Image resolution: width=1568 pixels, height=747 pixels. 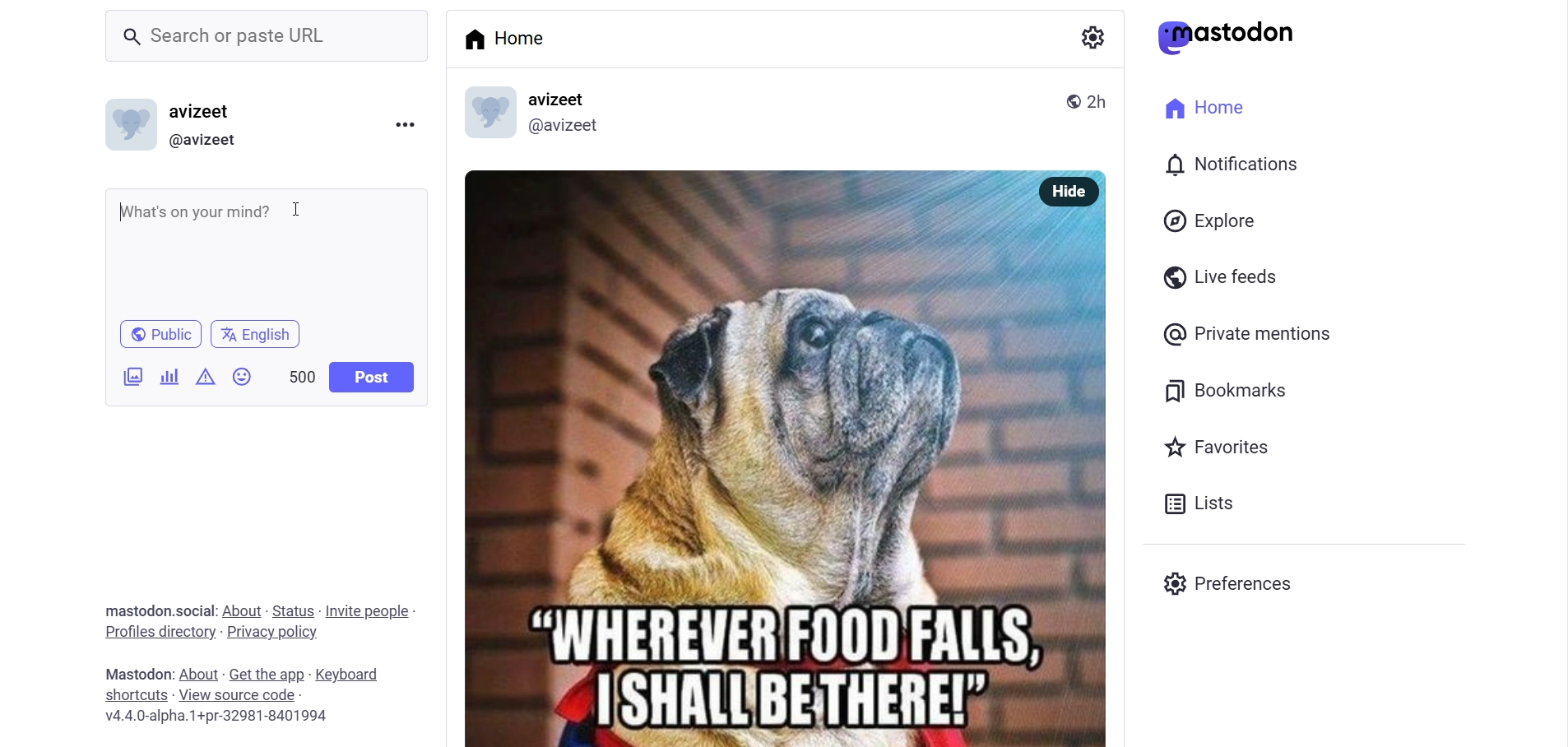 What do you see at coordinates (163, 332) in the screenshot?
I see `® Public` at bounding box center [163, 332].